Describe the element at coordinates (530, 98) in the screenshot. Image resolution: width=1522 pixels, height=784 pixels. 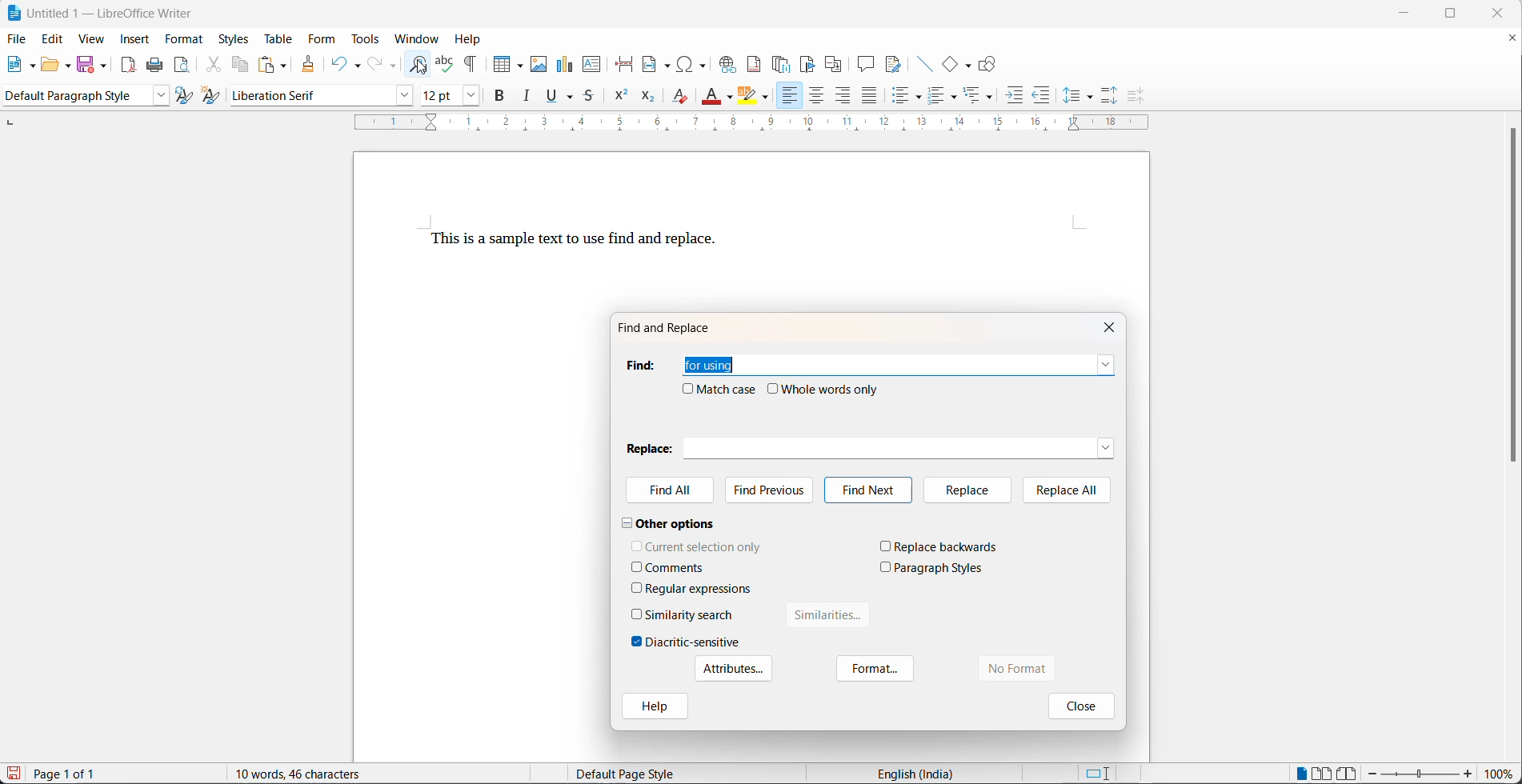
I see `italic` at that location.